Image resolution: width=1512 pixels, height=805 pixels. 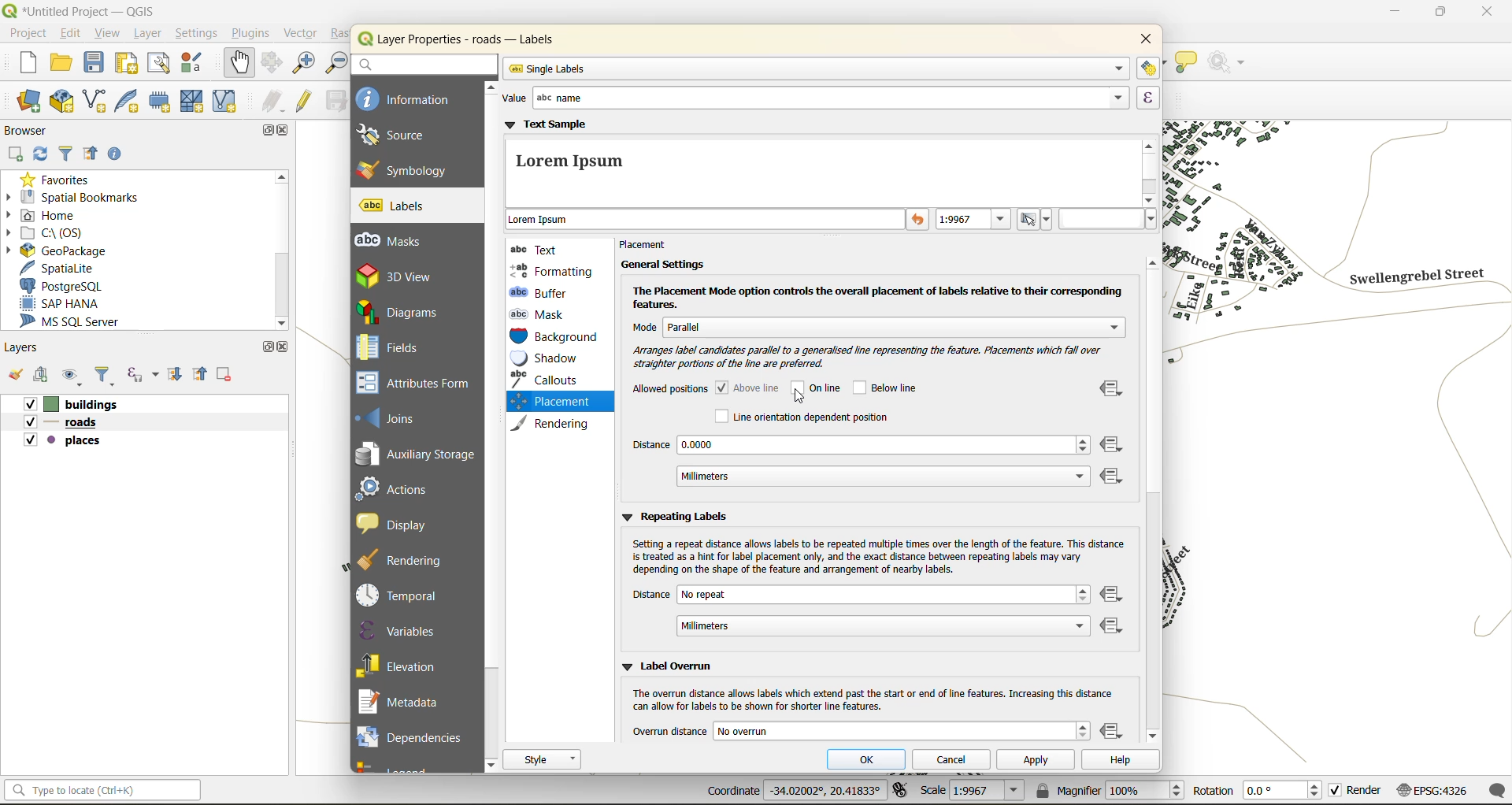 What do you see at coordinates (86, 199) in the screenshot?
I see `spatial bookmarks` at bounding box center [86, 199].